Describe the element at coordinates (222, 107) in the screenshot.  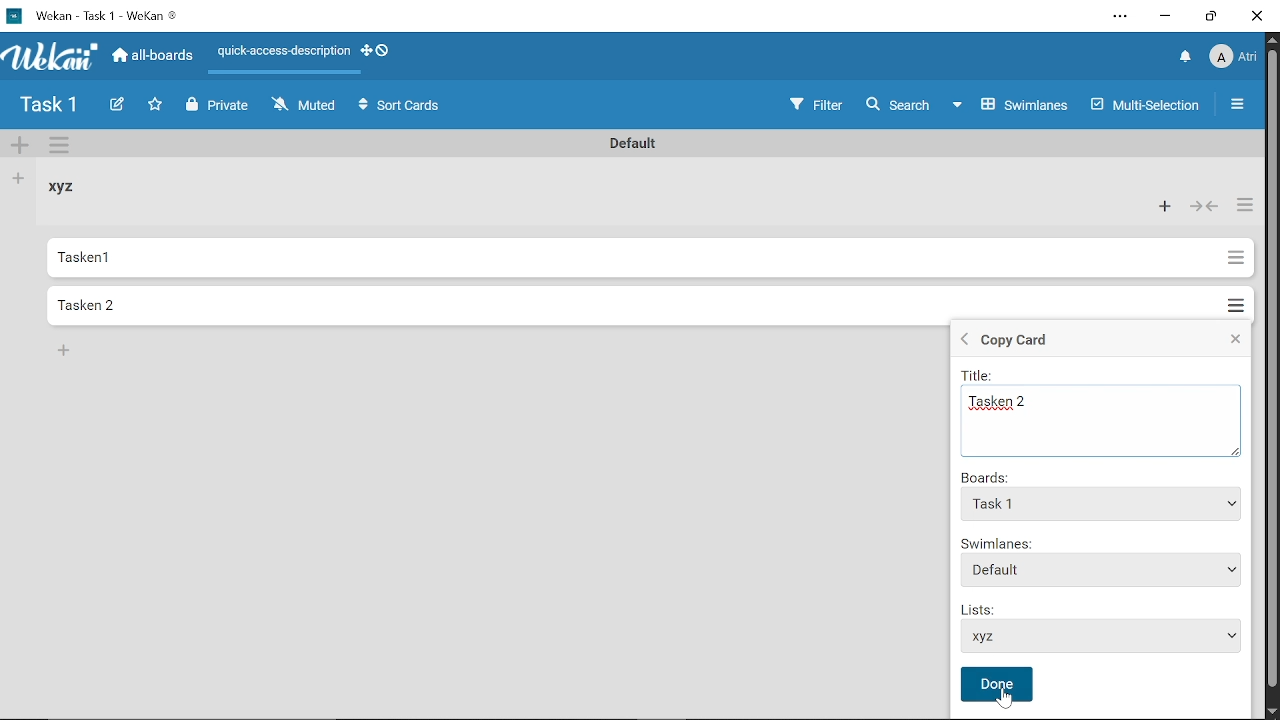
I see `private` at that location.